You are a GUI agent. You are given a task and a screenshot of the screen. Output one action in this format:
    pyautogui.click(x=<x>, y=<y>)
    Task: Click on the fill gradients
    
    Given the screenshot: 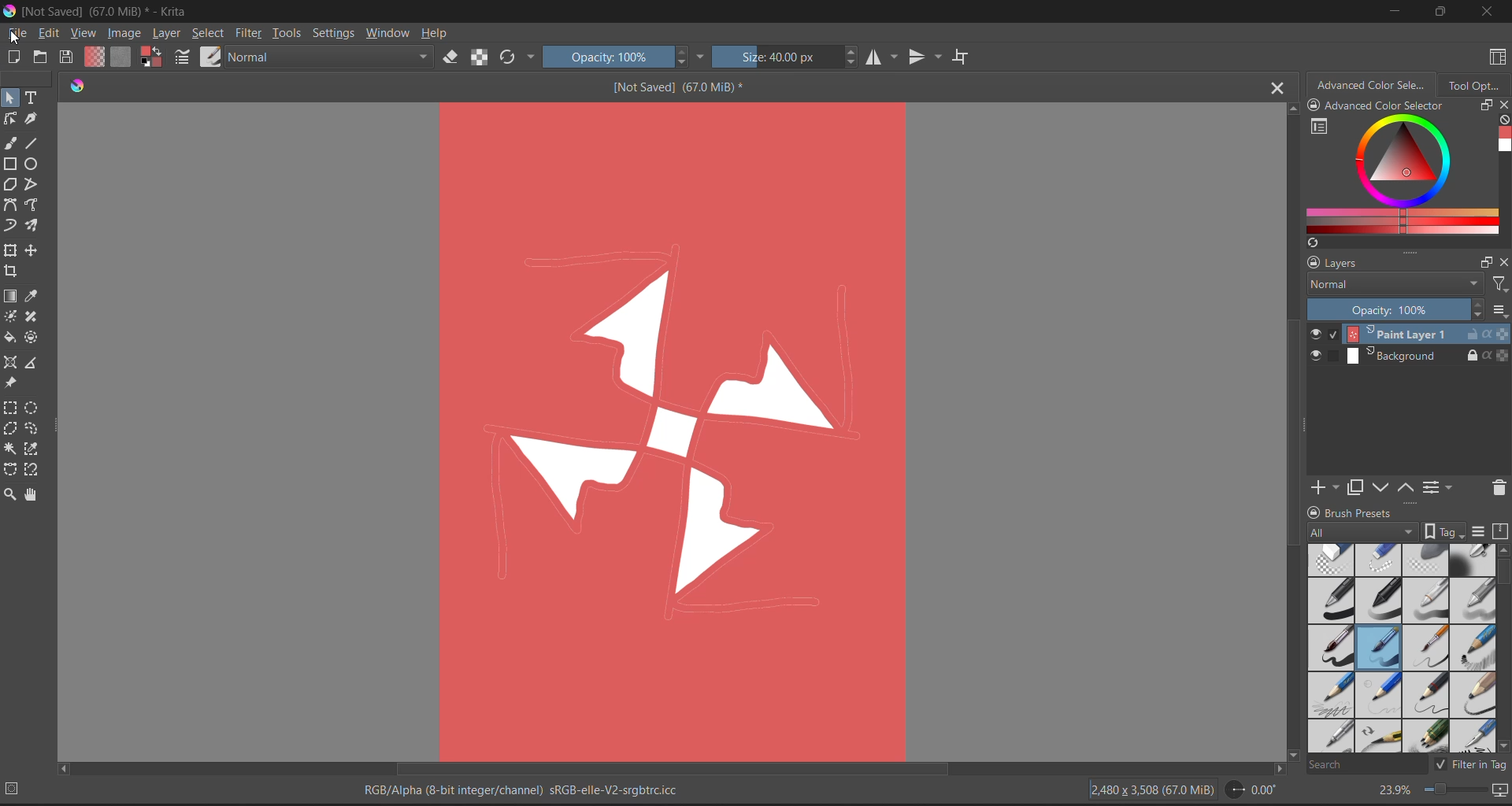 What is the action you would take?
    pyautogui.click(x=95, y=57)
    